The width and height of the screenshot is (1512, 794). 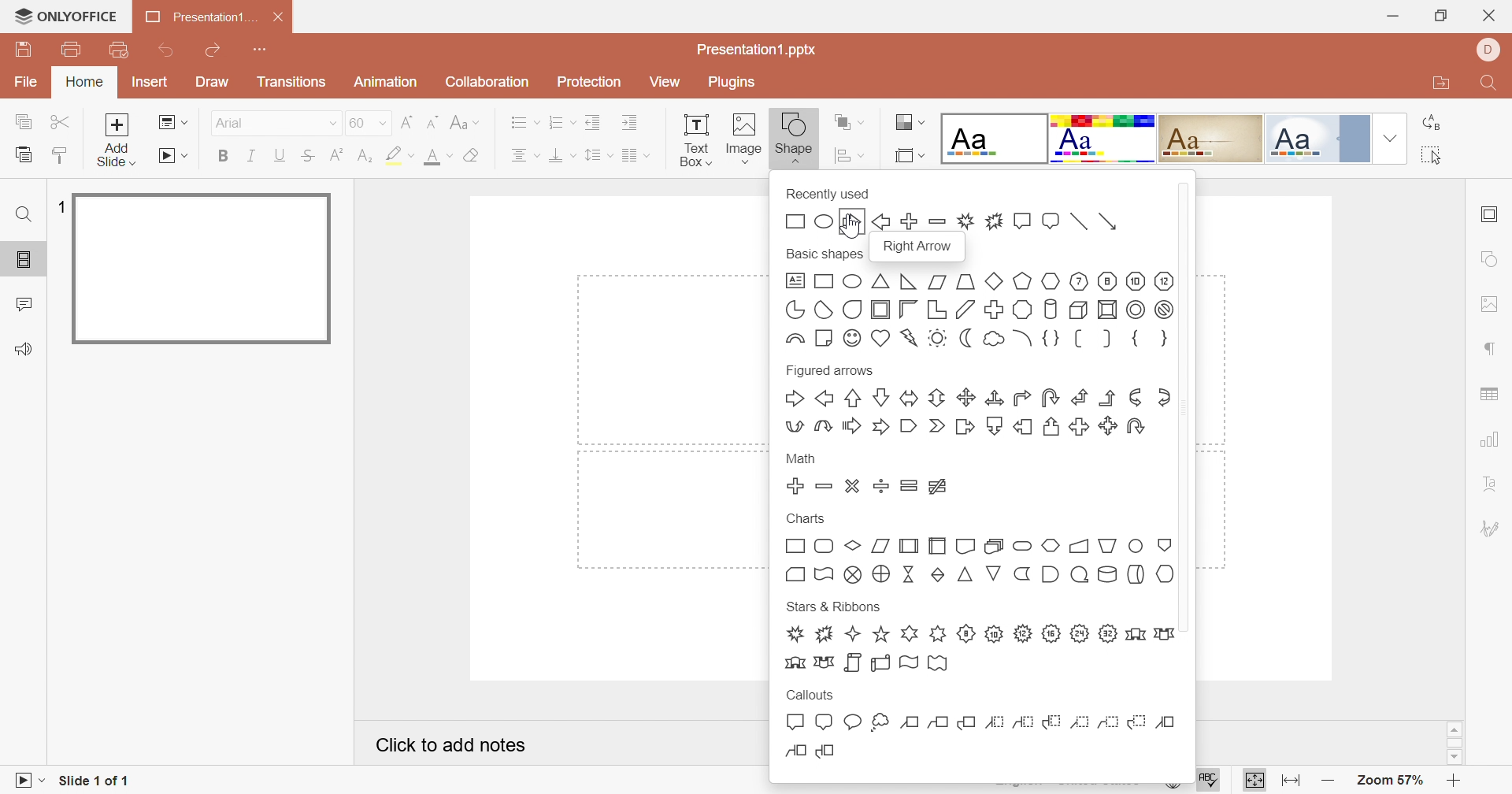 I want to click on Increment font size, so click(x=409, y=122).